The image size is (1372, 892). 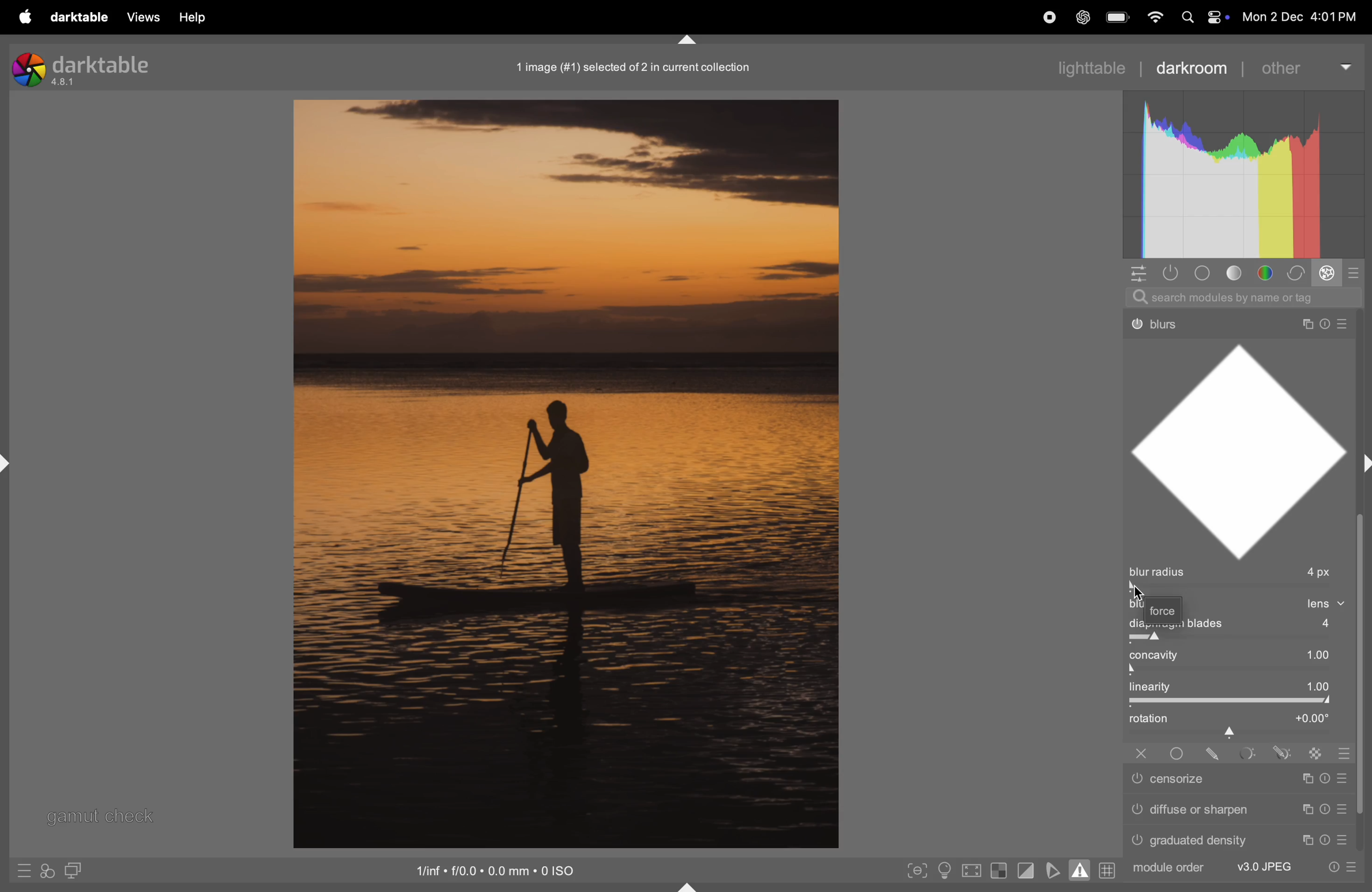 I want to click on darktable, so click(x=80, y=17).